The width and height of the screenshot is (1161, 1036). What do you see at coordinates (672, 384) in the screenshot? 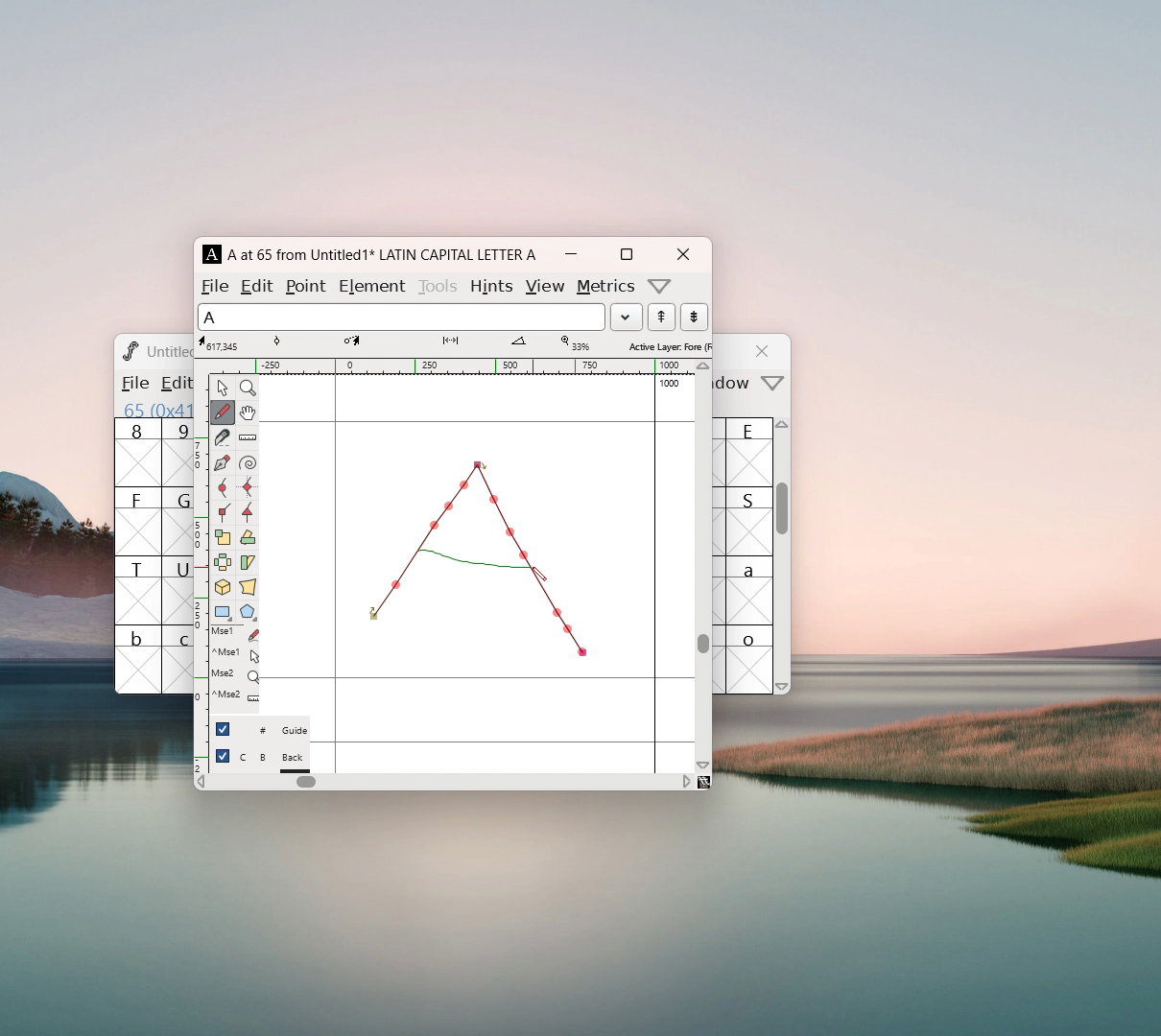
I see `1000` at bounding box center [672, 384].